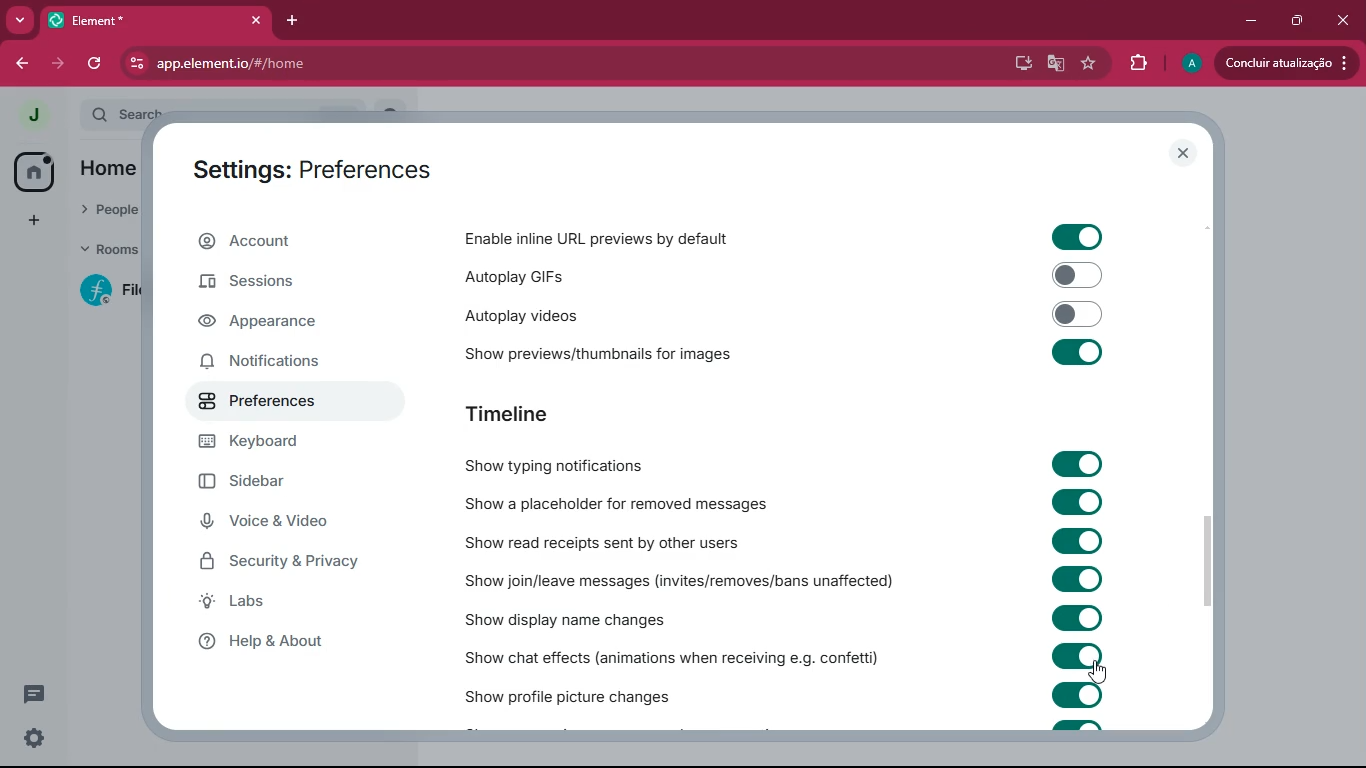 This screenshot has width=1366, height=768. Describe the element at coordinates (1077, 352) in the screenshot. I see `toggle on/off` at that location.